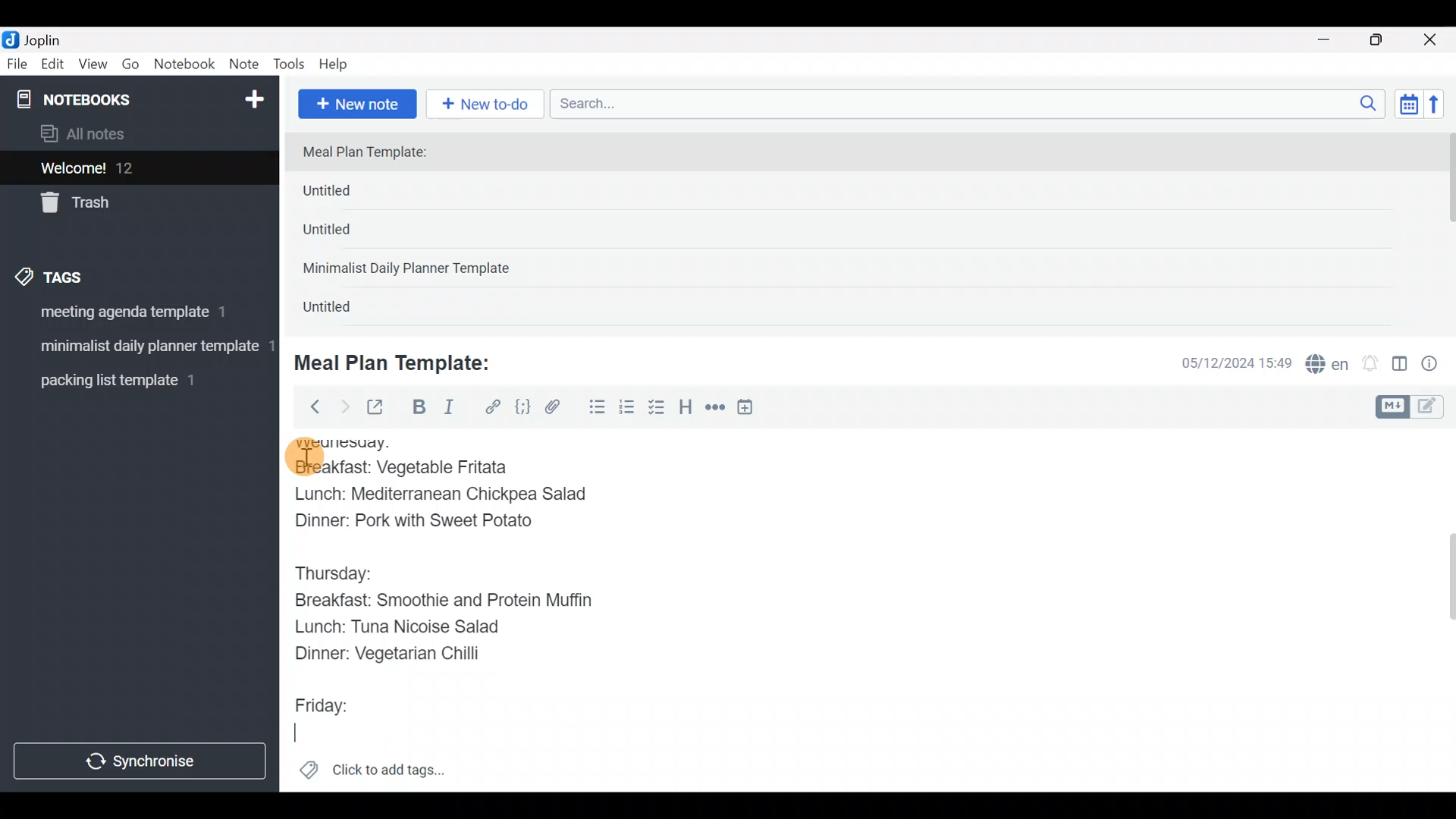 This screenshot has width=1456, height=819. Describe the element at coordinates (1440, 610) in the screenshot. I see `Scroll bar` at that location.